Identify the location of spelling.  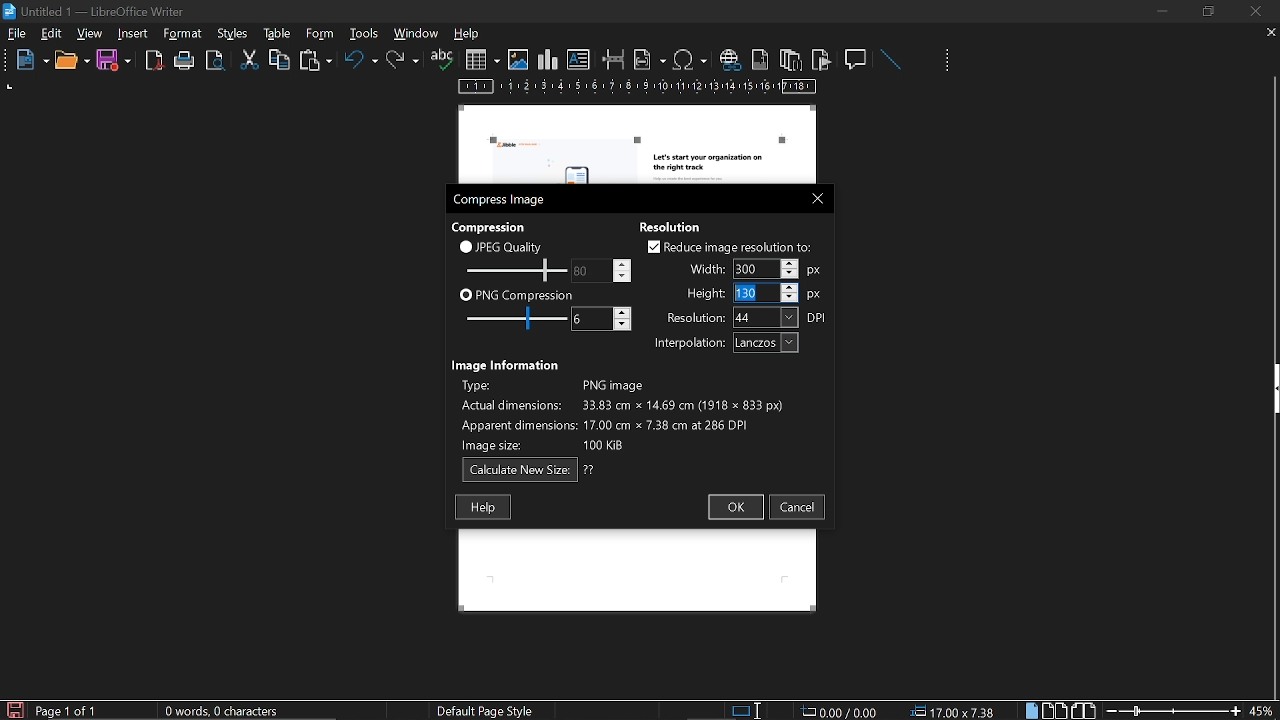
(442, 60).